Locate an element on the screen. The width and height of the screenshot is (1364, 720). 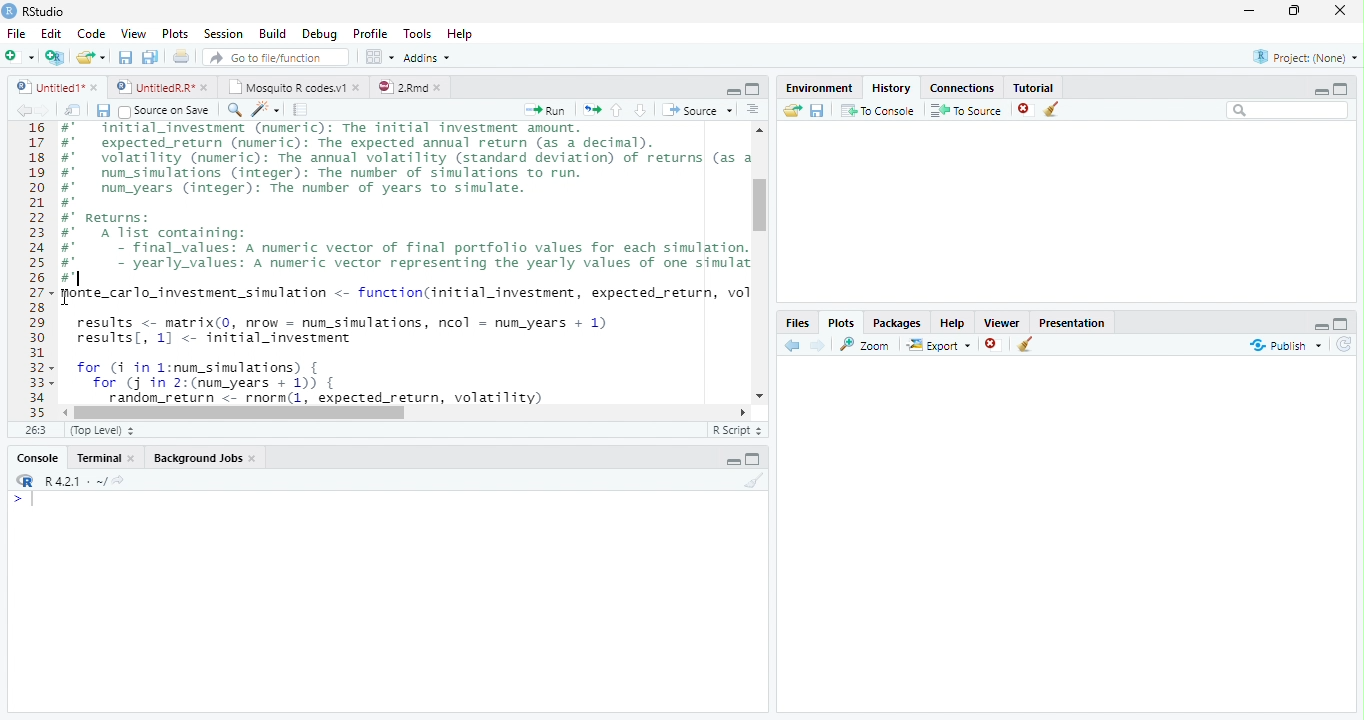
Line Numbers is located at coordinates (35, 270).